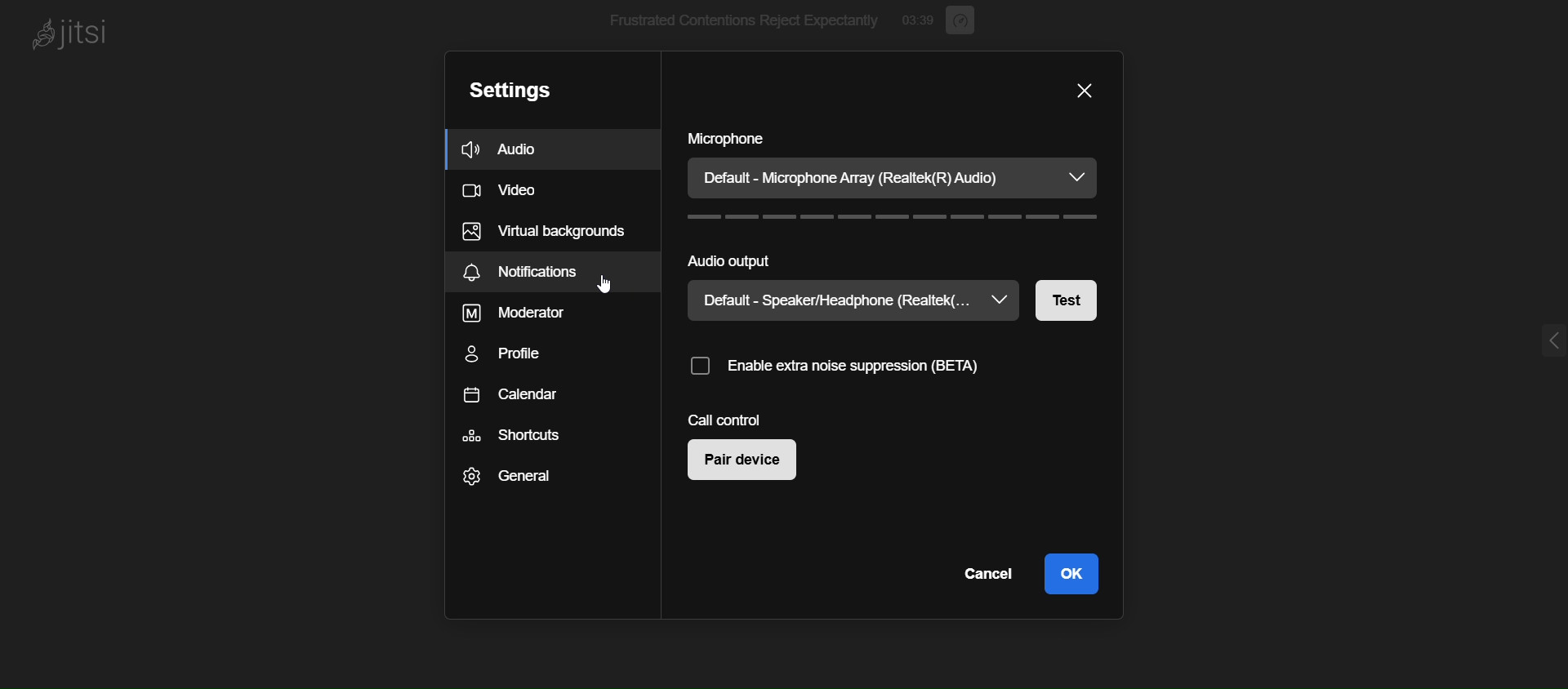  Describe the element at coordinates (529, 400) in the screenshot. I see `calendar` at that location.